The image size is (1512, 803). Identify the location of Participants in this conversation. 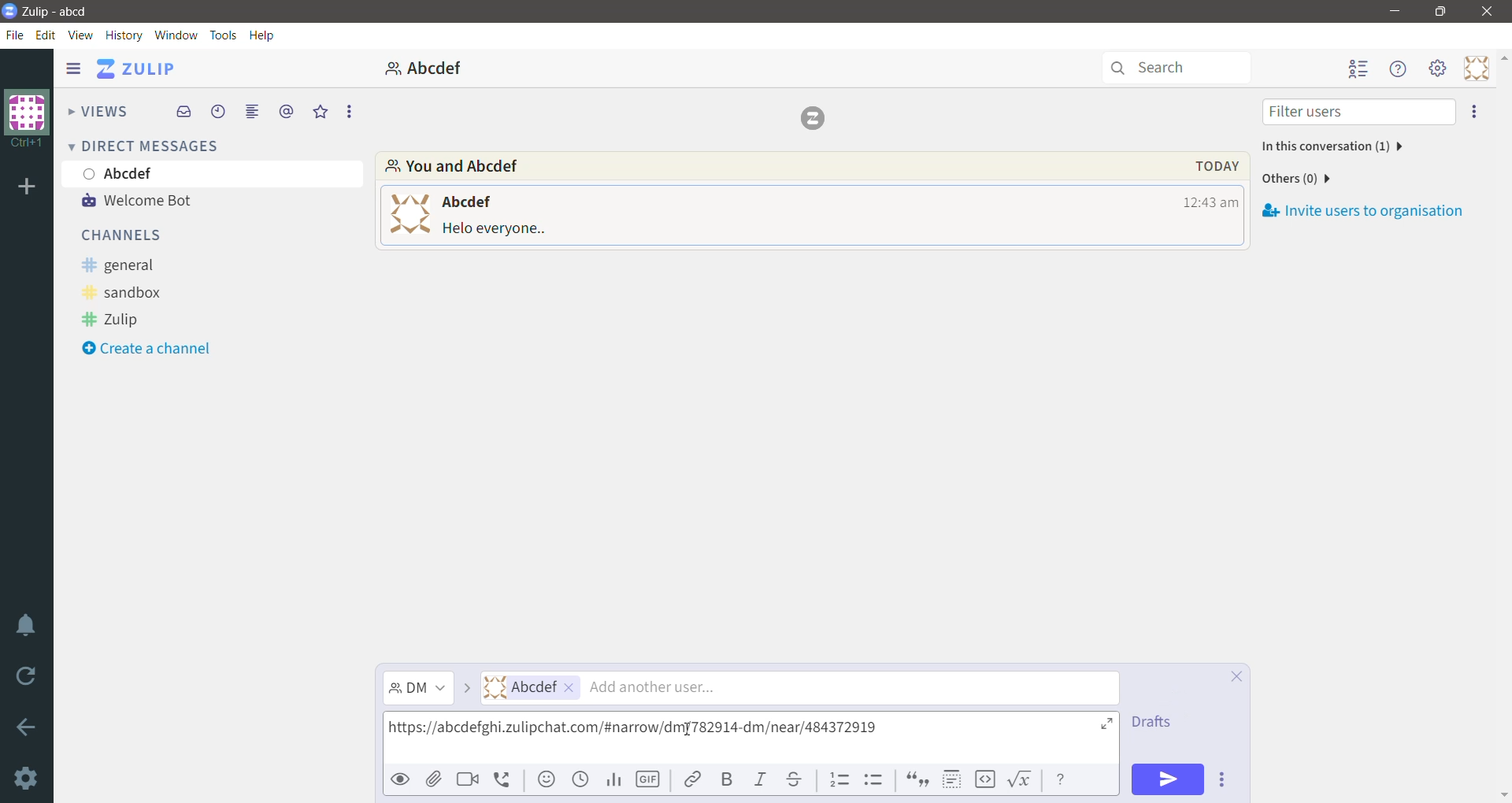
(1330, 146).